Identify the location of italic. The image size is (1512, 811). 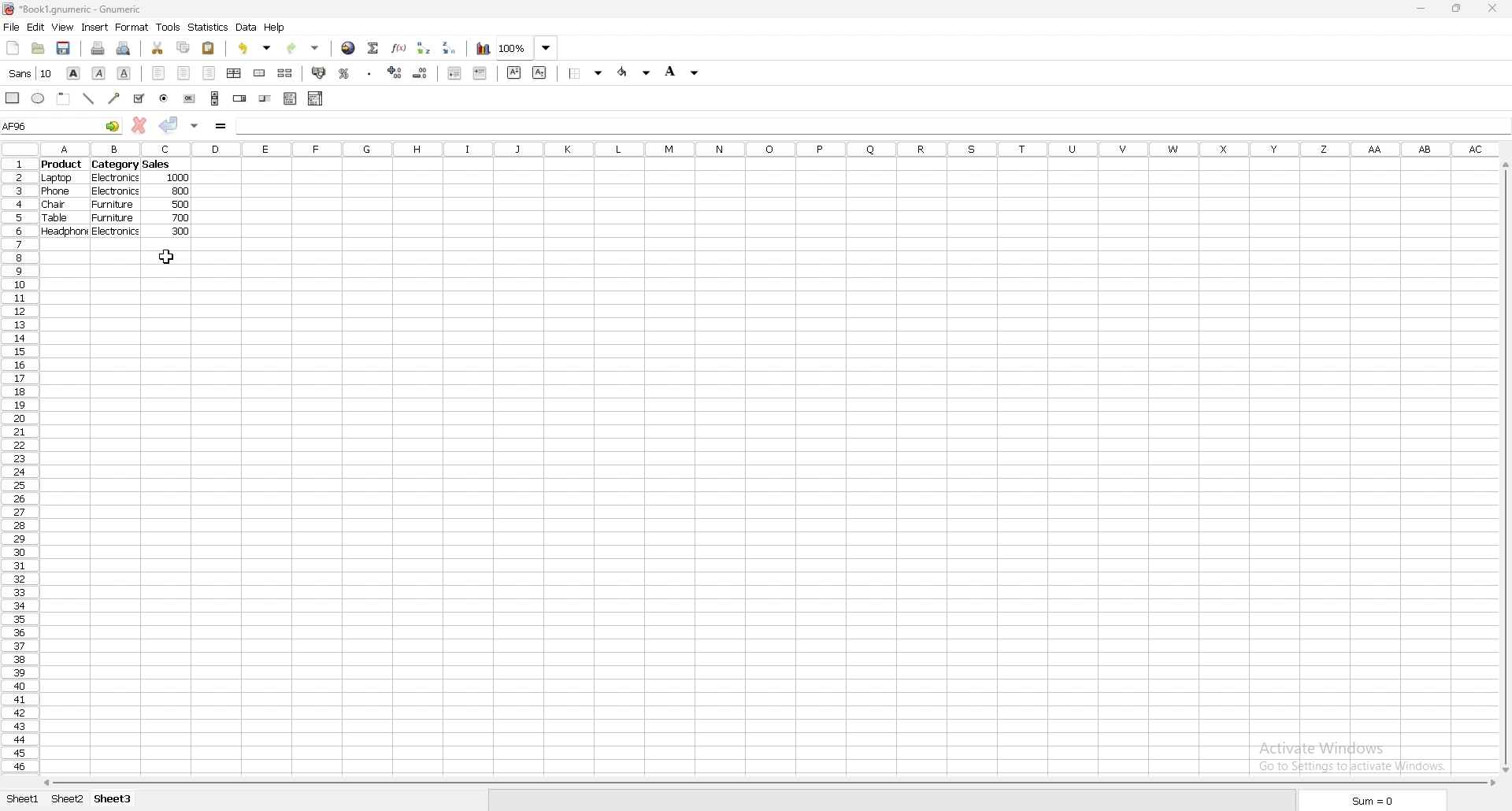
(99, 73).